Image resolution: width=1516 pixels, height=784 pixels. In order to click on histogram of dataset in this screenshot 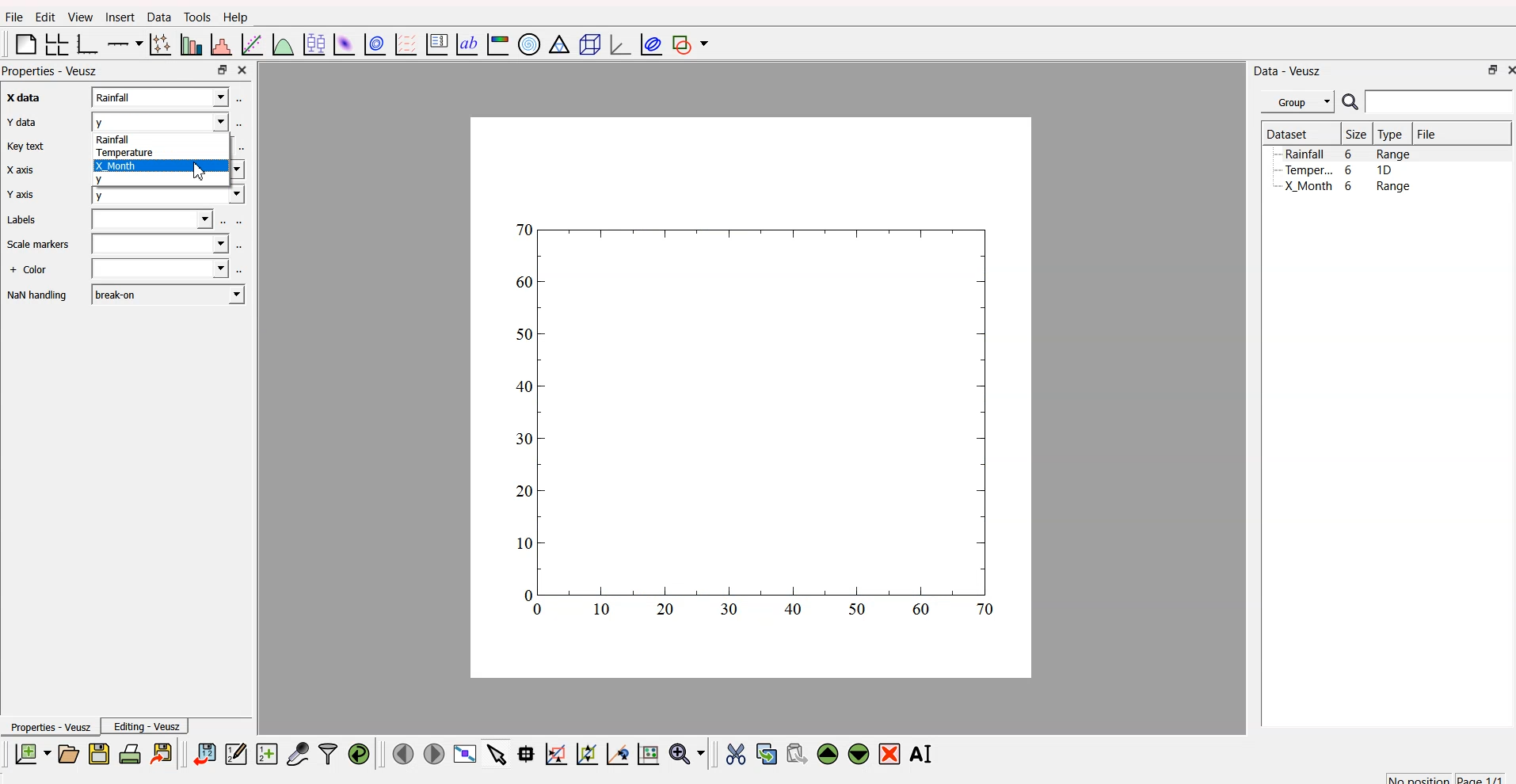, I will do `click(223, 45)`.